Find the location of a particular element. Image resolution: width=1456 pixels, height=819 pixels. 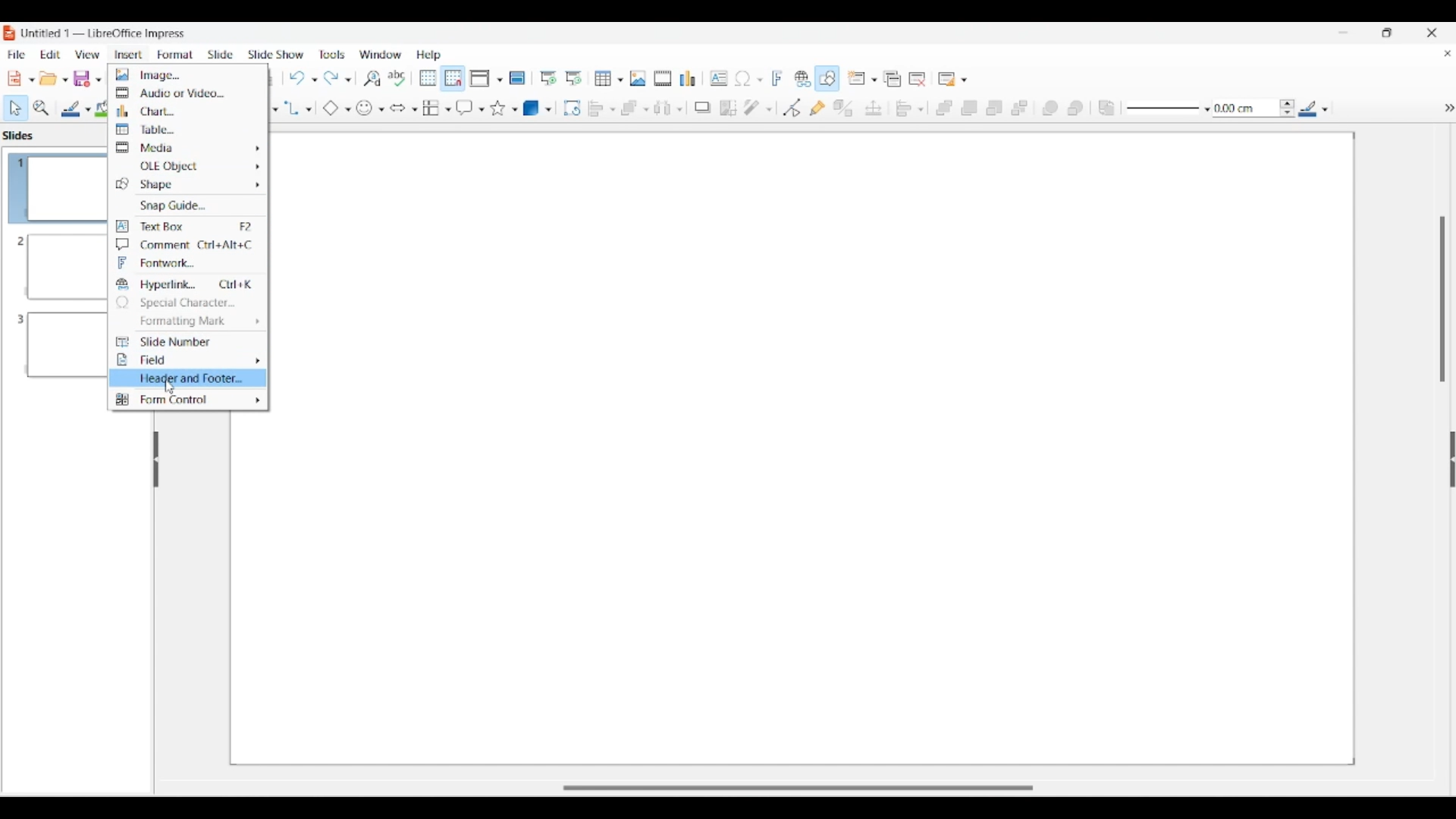

Image is located at coordinates (187, 74).